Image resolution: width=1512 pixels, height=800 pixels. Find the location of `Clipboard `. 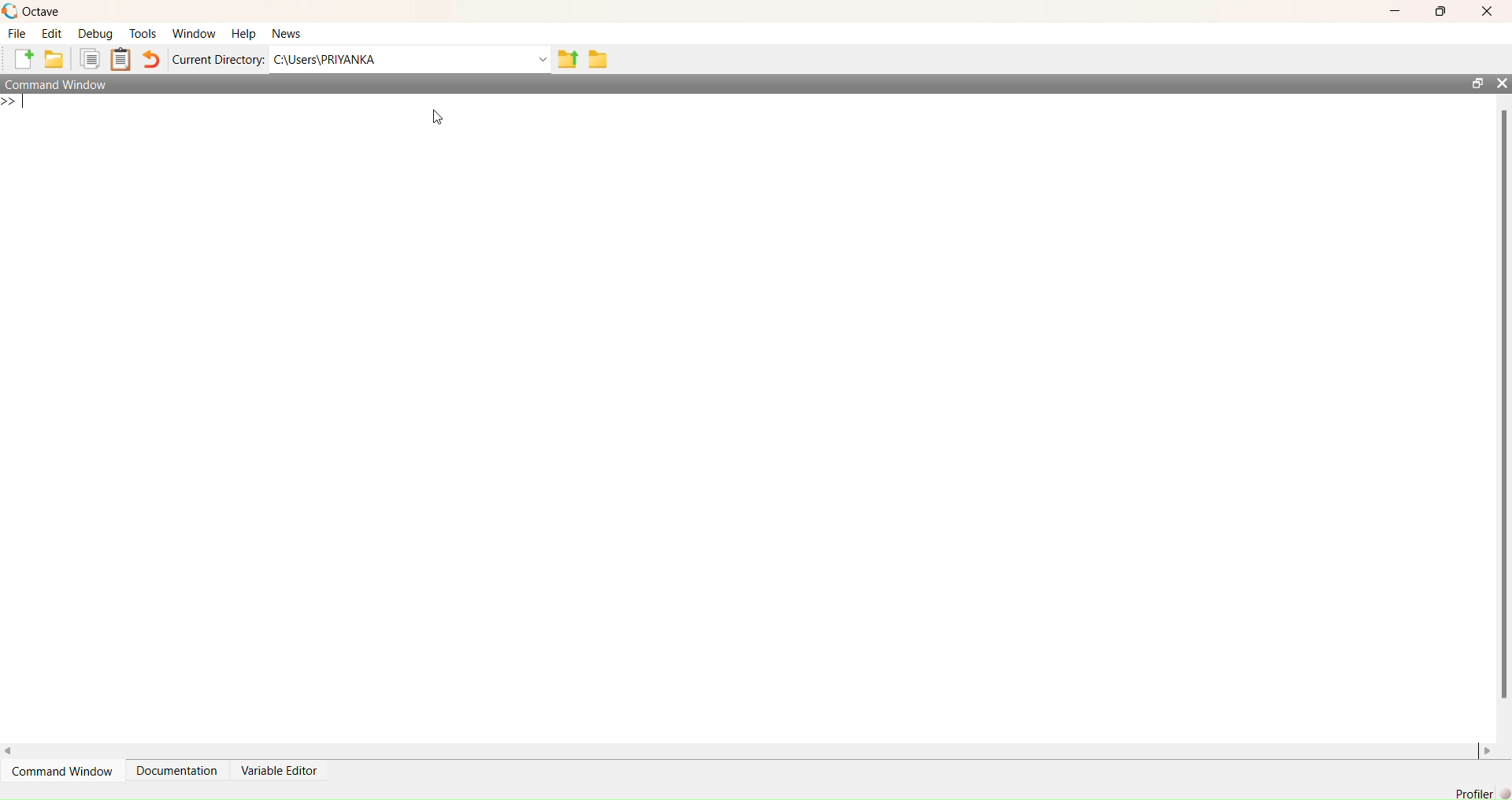

Clipboard  is located at coordinates (121, 59).